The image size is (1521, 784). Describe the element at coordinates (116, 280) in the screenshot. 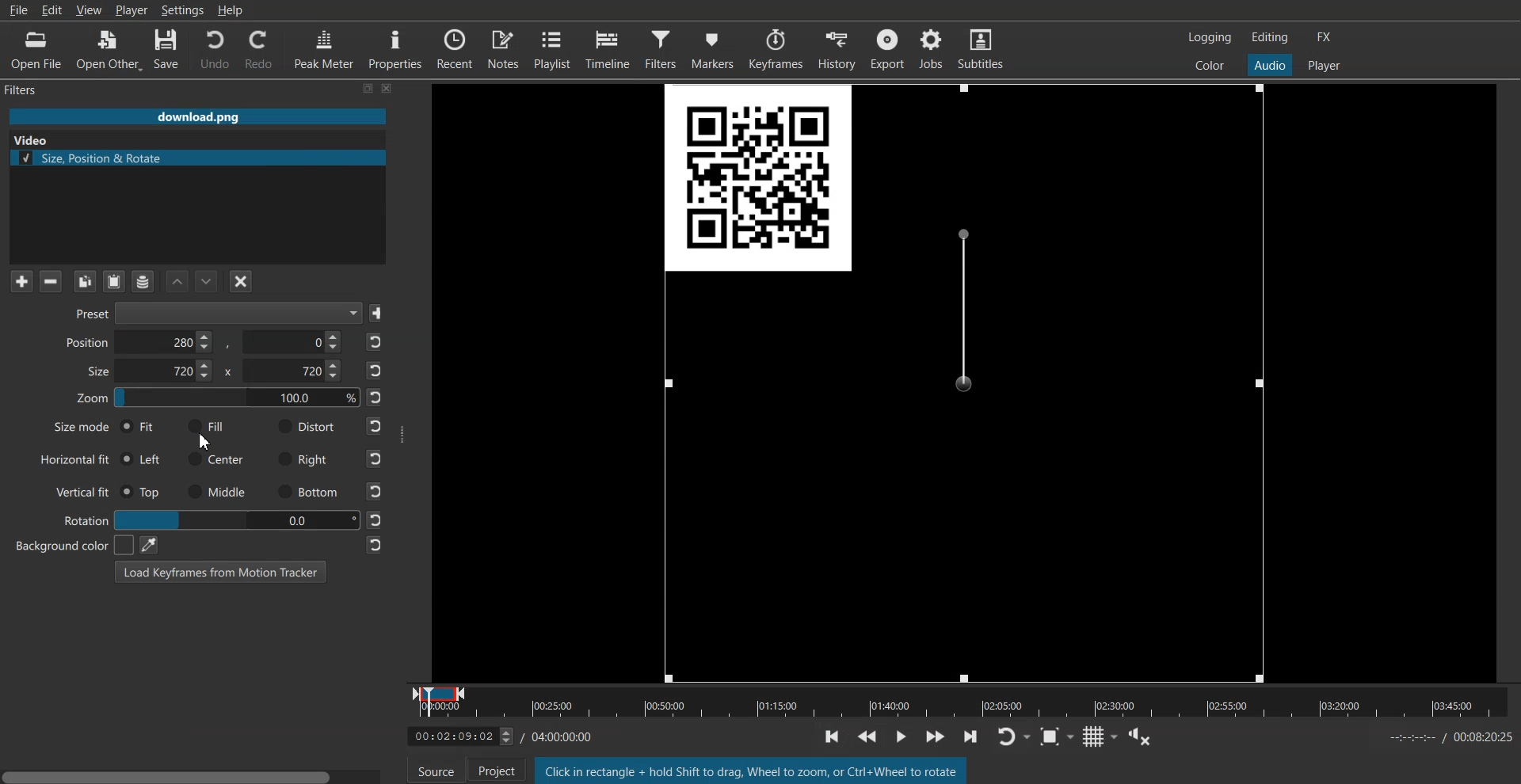

I see `Paste Filter` at that location.